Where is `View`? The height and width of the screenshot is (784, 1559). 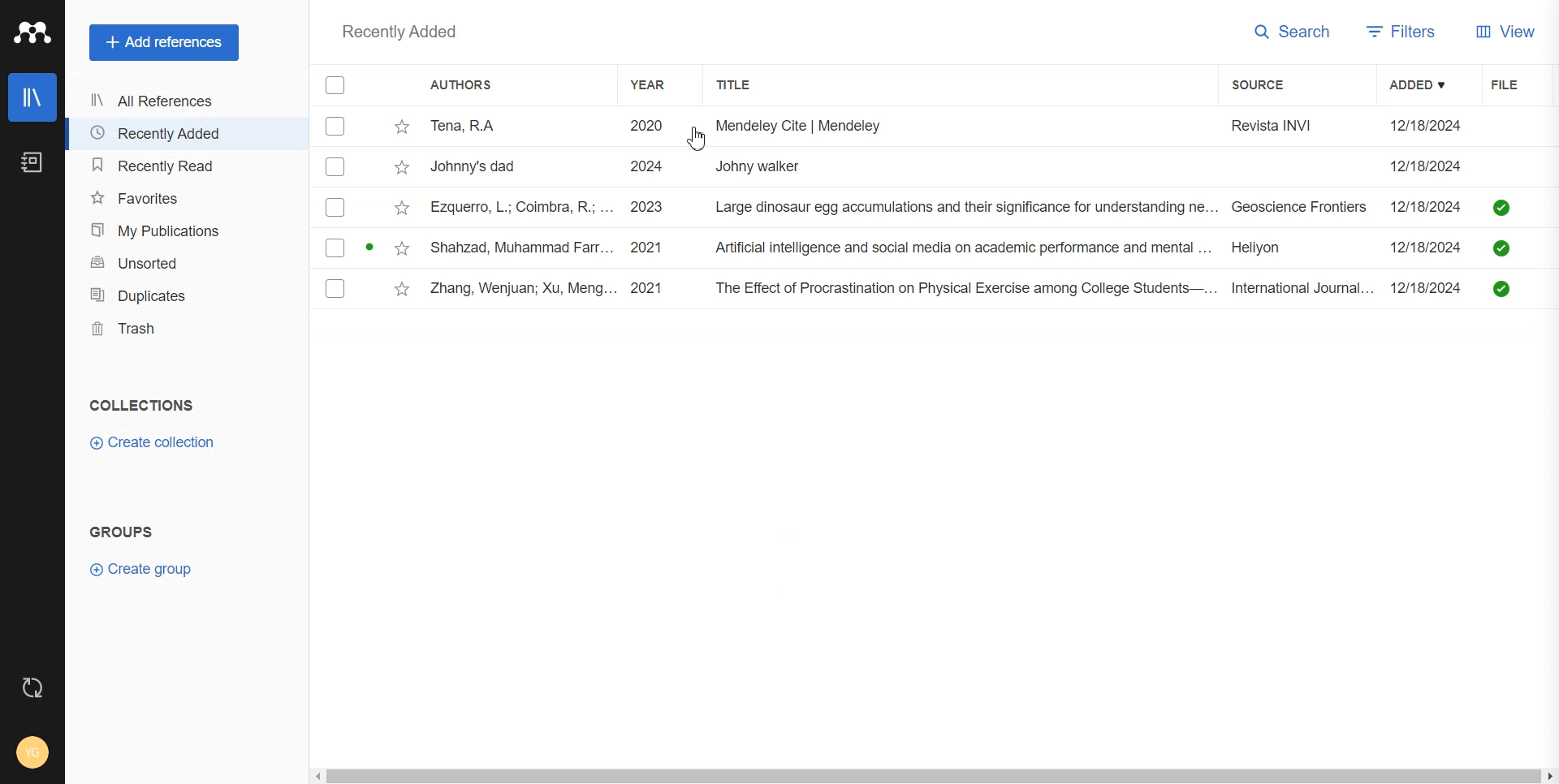
View is located at coordinates (1507, 33).